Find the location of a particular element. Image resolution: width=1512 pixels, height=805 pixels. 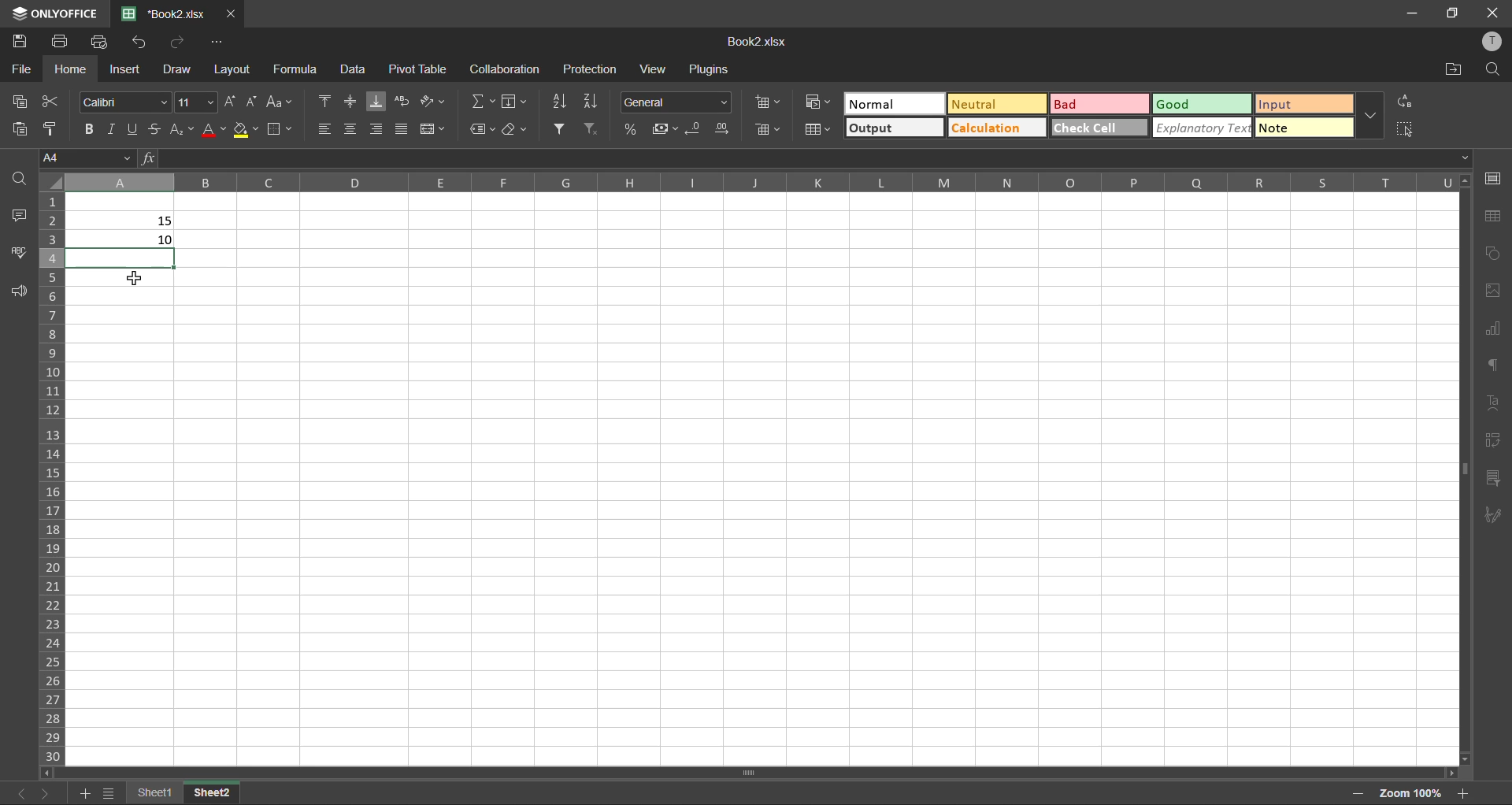

input is located at coordinates (1303, 105).